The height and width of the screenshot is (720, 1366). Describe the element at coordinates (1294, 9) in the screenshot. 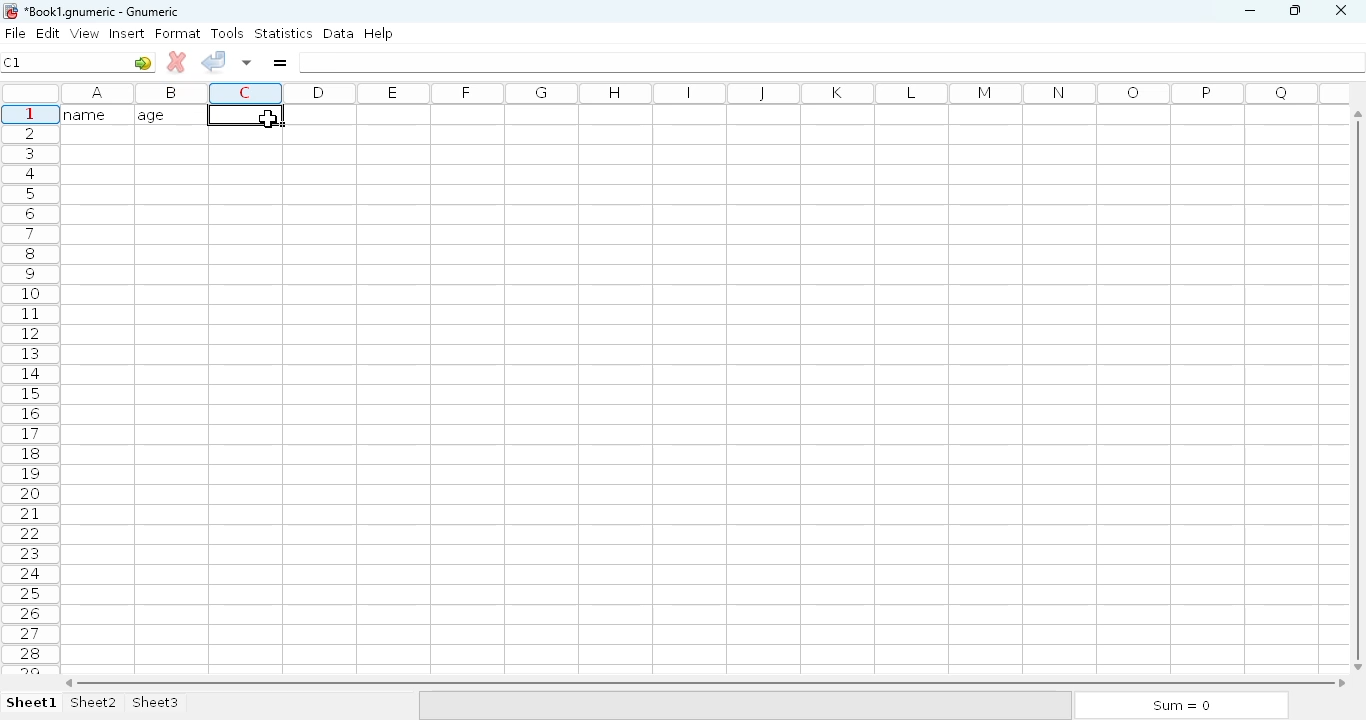

I see `maximize` at that location.